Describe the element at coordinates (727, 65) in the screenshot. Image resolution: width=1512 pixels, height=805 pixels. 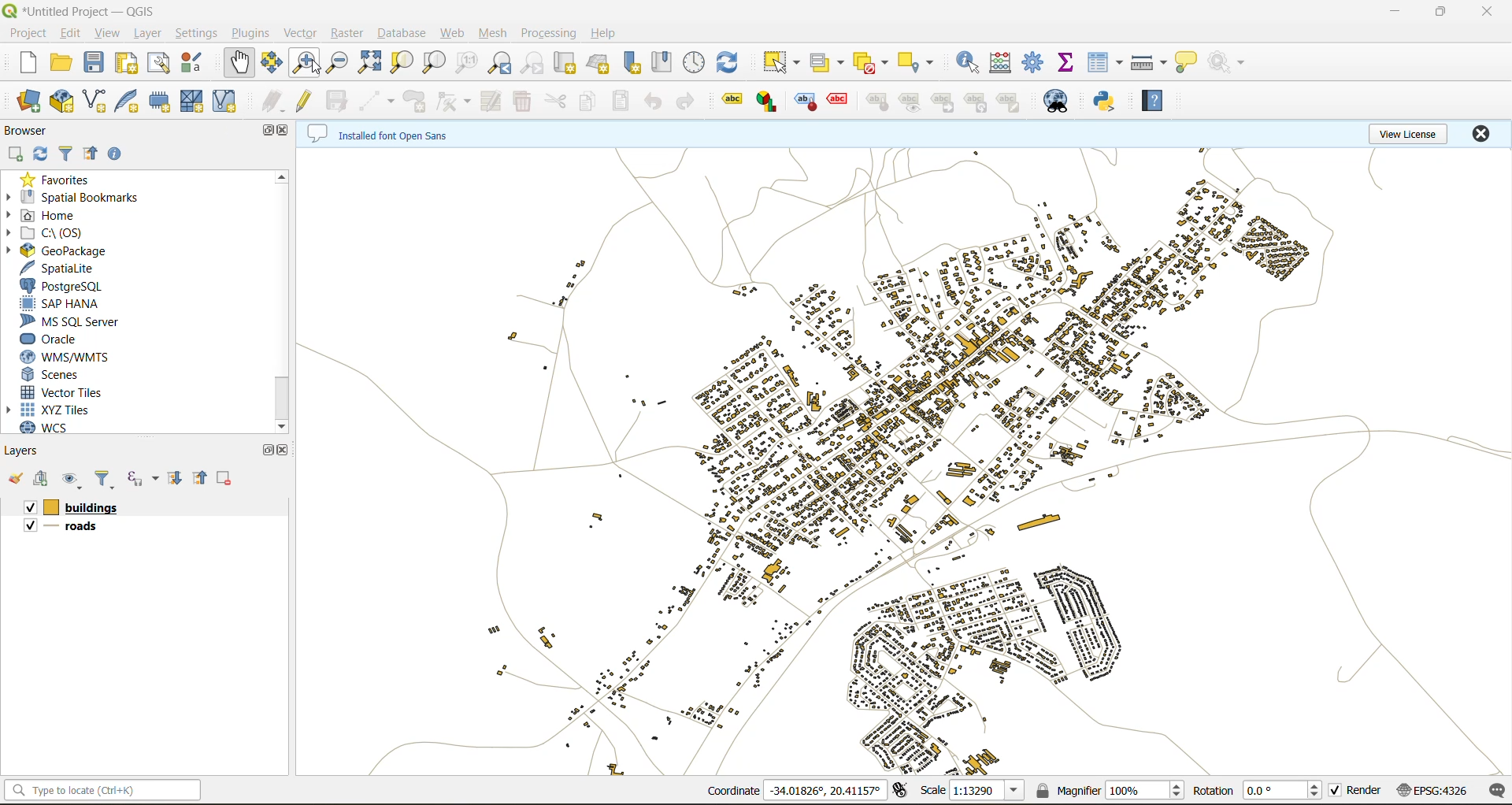
I see `refresh` at that location.